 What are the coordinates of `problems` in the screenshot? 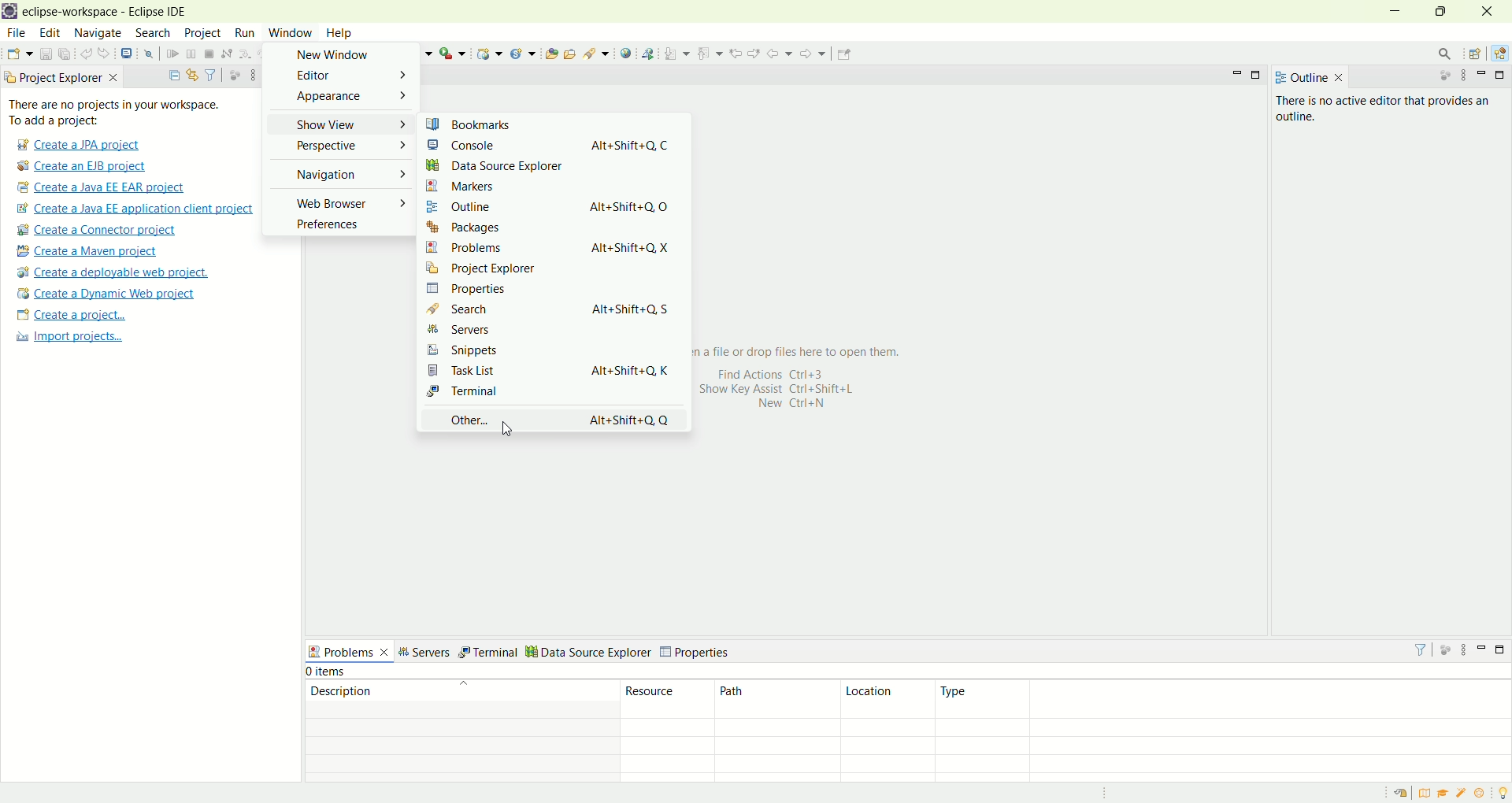 It's located at (499, 248).